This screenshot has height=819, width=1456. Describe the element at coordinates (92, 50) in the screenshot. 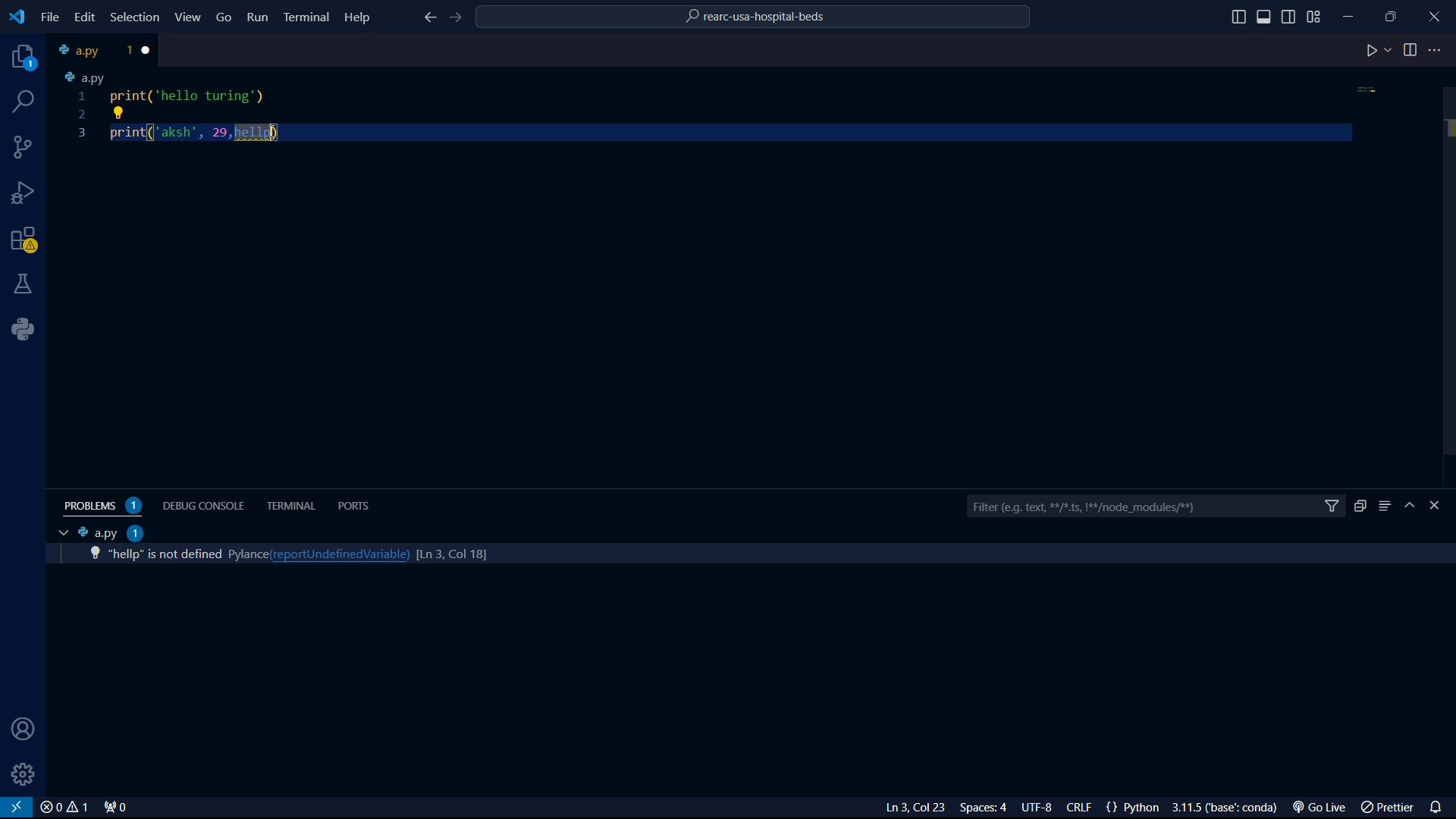

I see `tab` at that location.